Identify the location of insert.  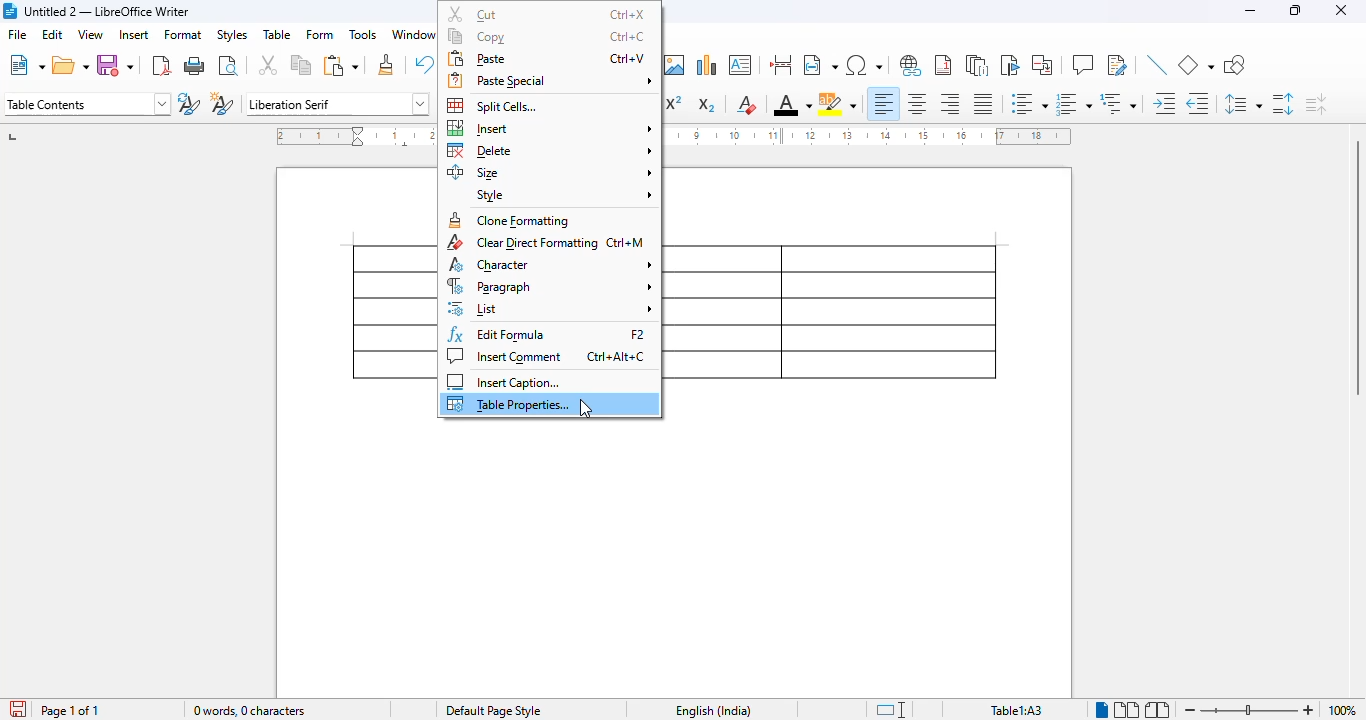
(135, 35).